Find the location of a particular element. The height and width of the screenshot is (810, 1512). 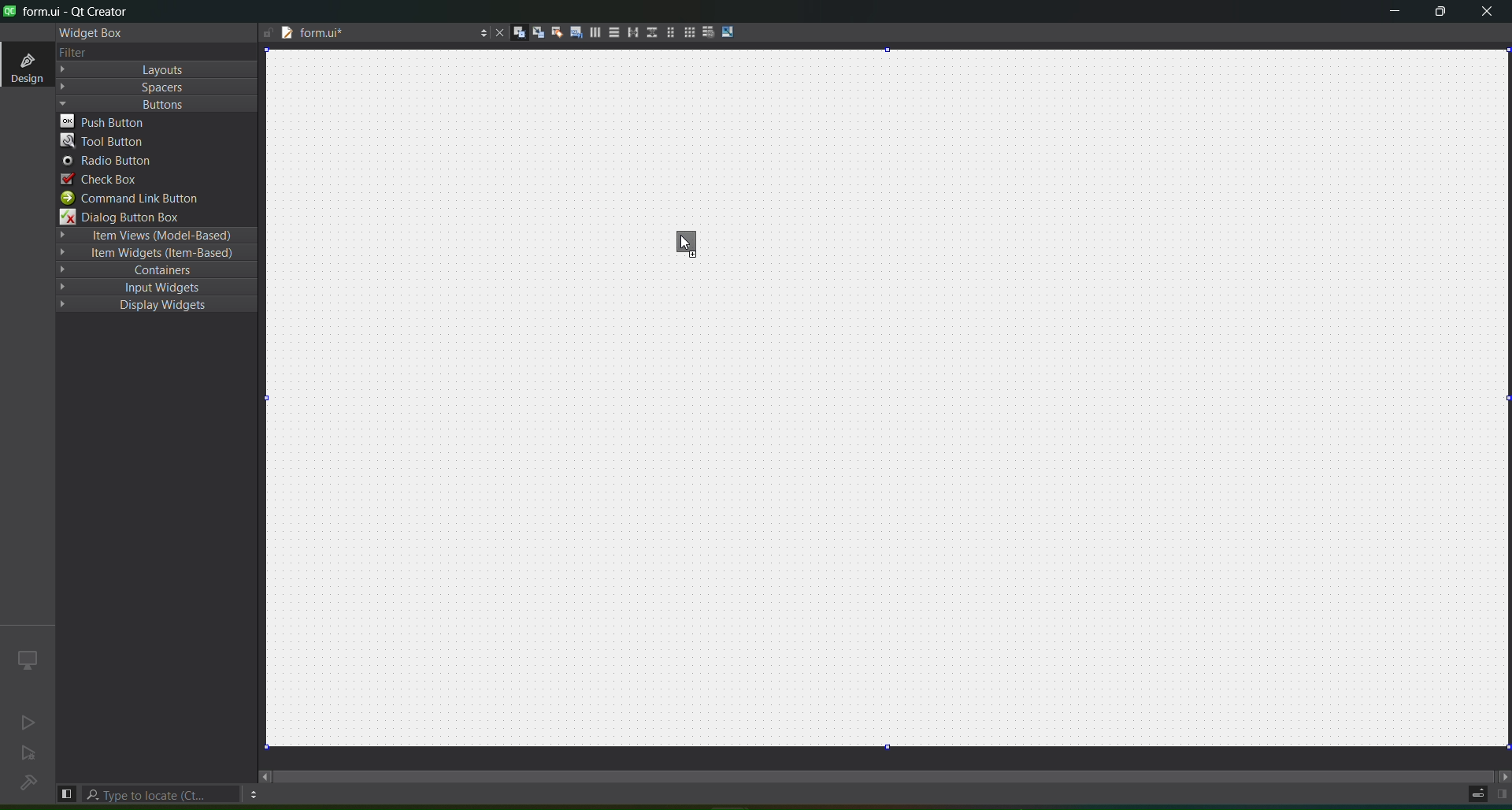

dialog button box is located at coordinates (151, 216).